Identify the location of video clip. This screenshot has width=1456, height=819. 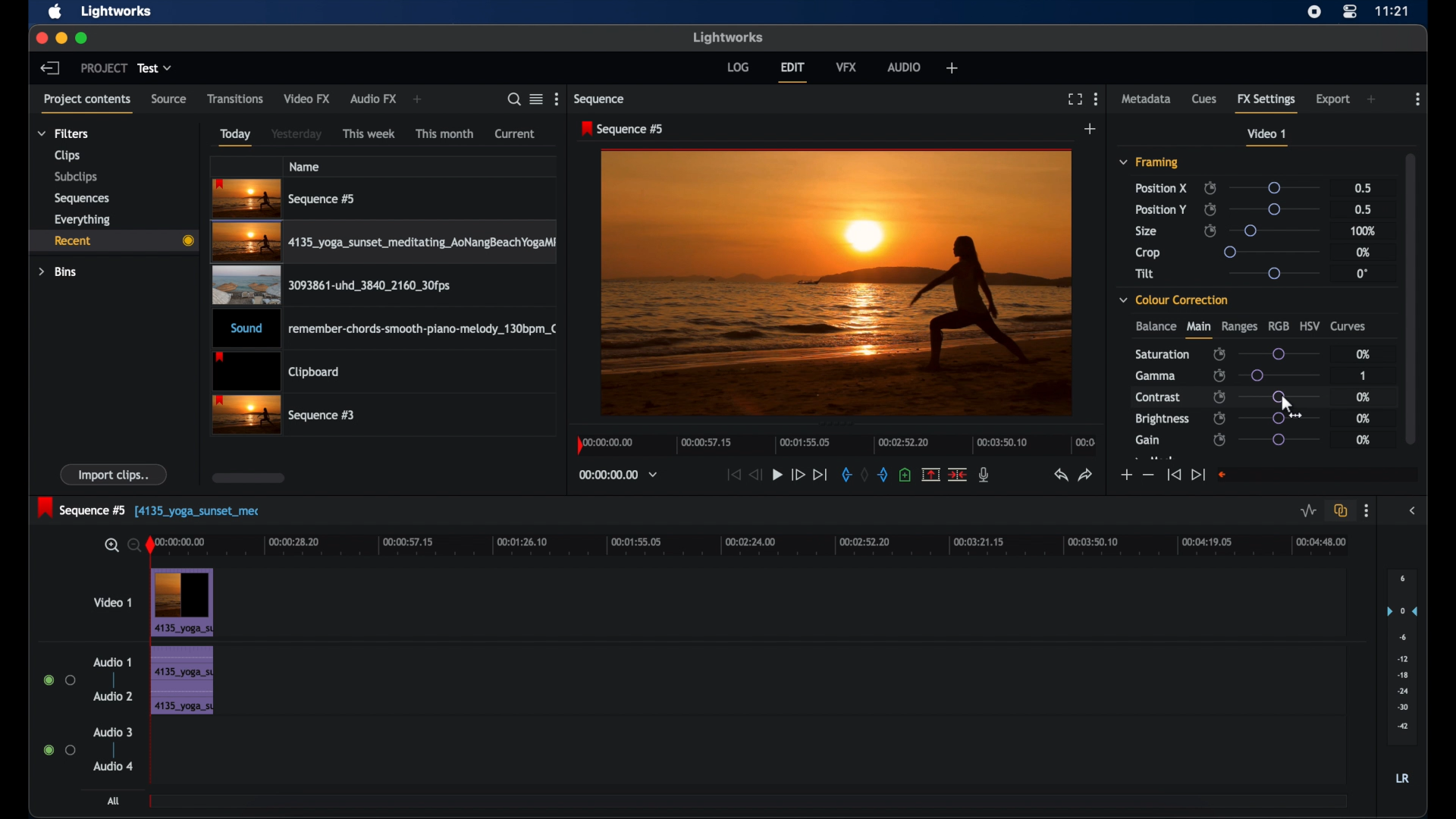
(329, 288).